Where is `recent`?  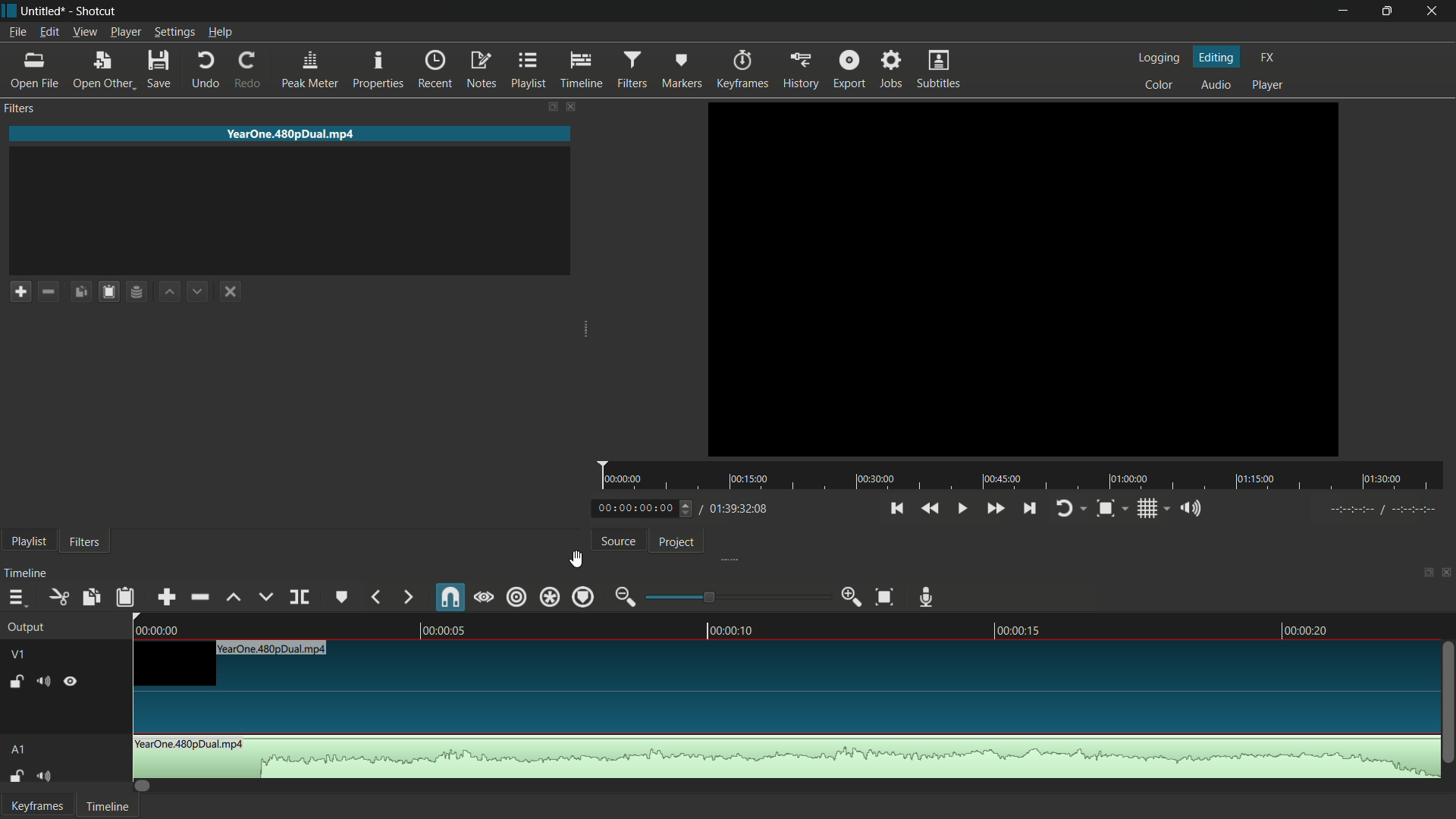 recent is located at coordinates (434, 71).